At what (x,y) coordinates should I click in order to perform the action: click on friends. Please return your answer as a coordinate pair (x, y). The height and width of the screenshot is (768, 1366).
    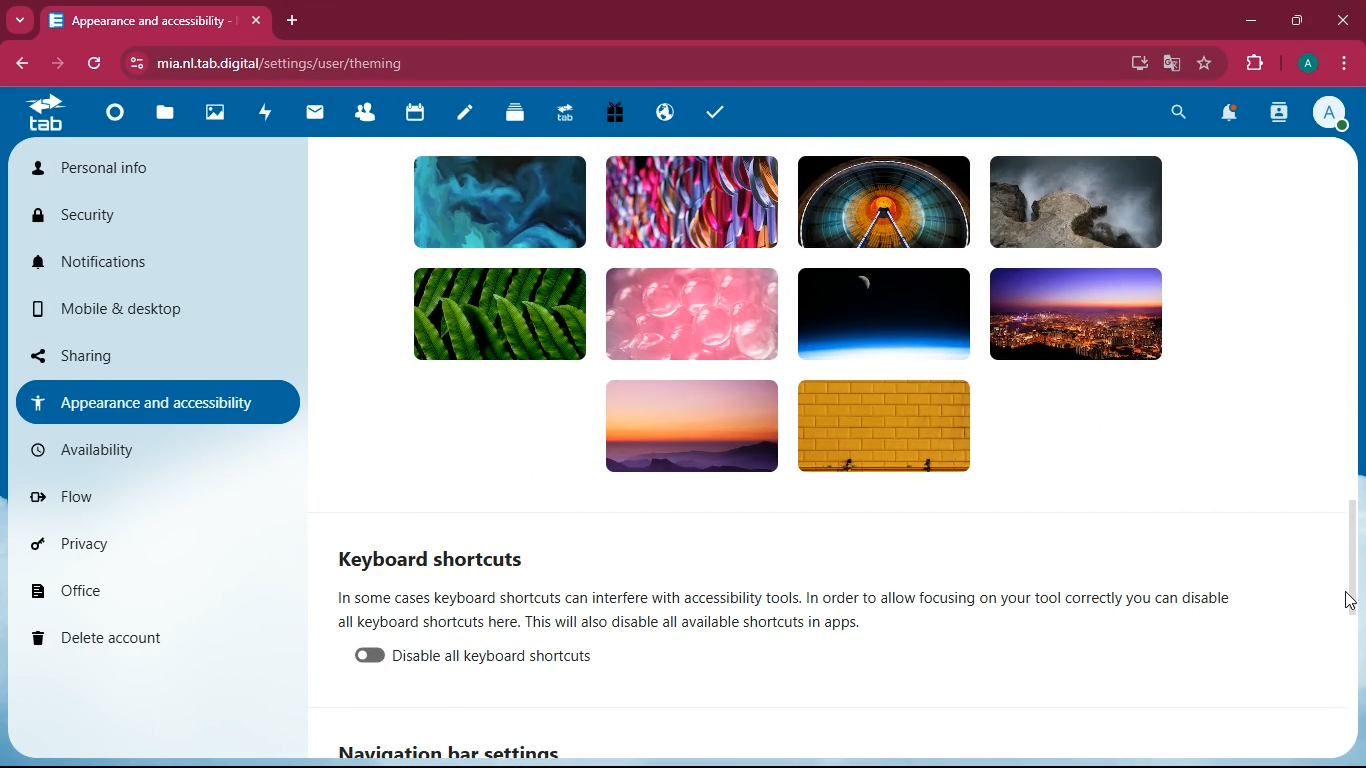
    Looking at the image, I should click on (363, 116).